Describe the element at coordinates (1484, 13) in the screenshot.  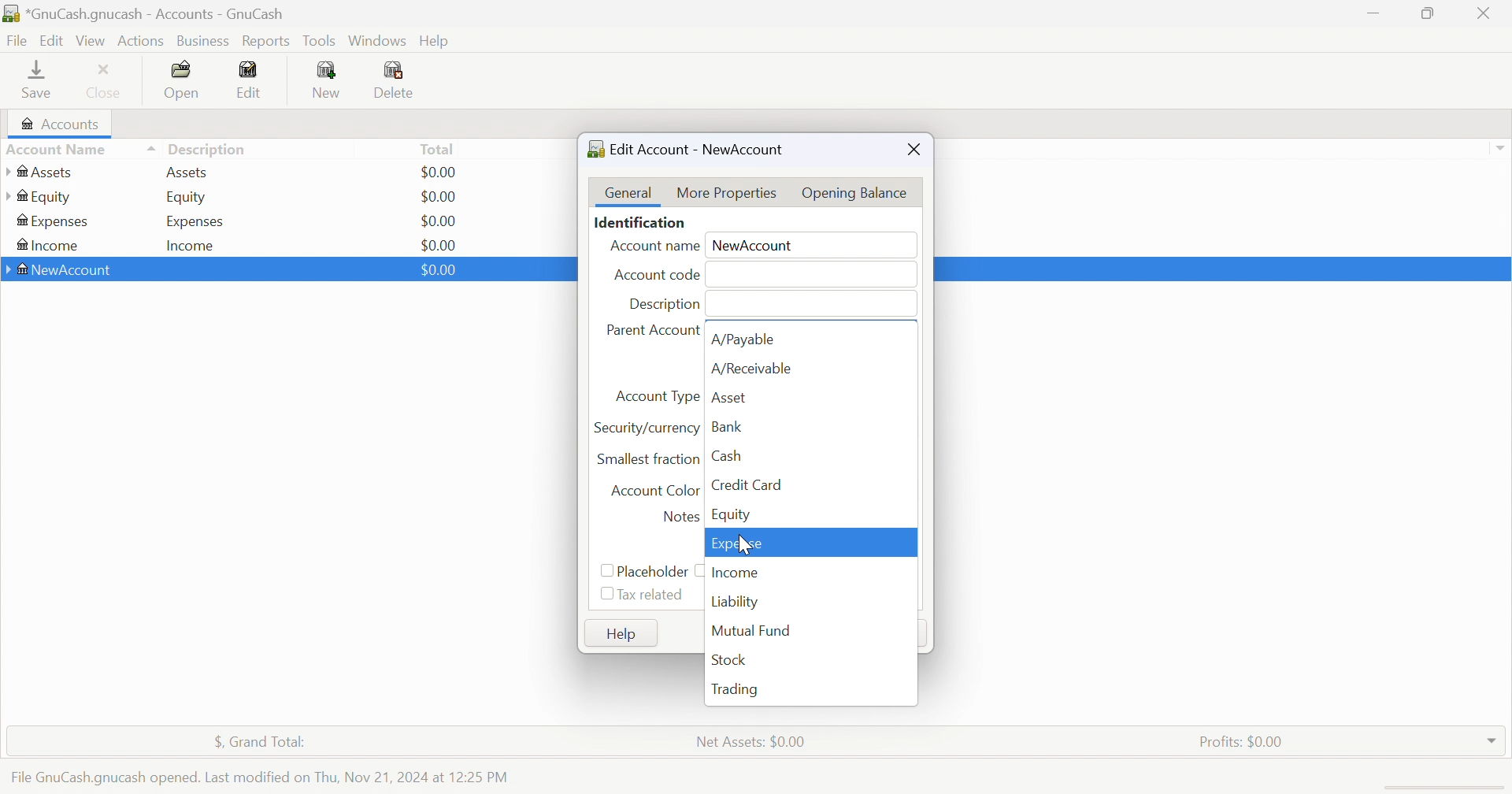
I see `Close` at that location.